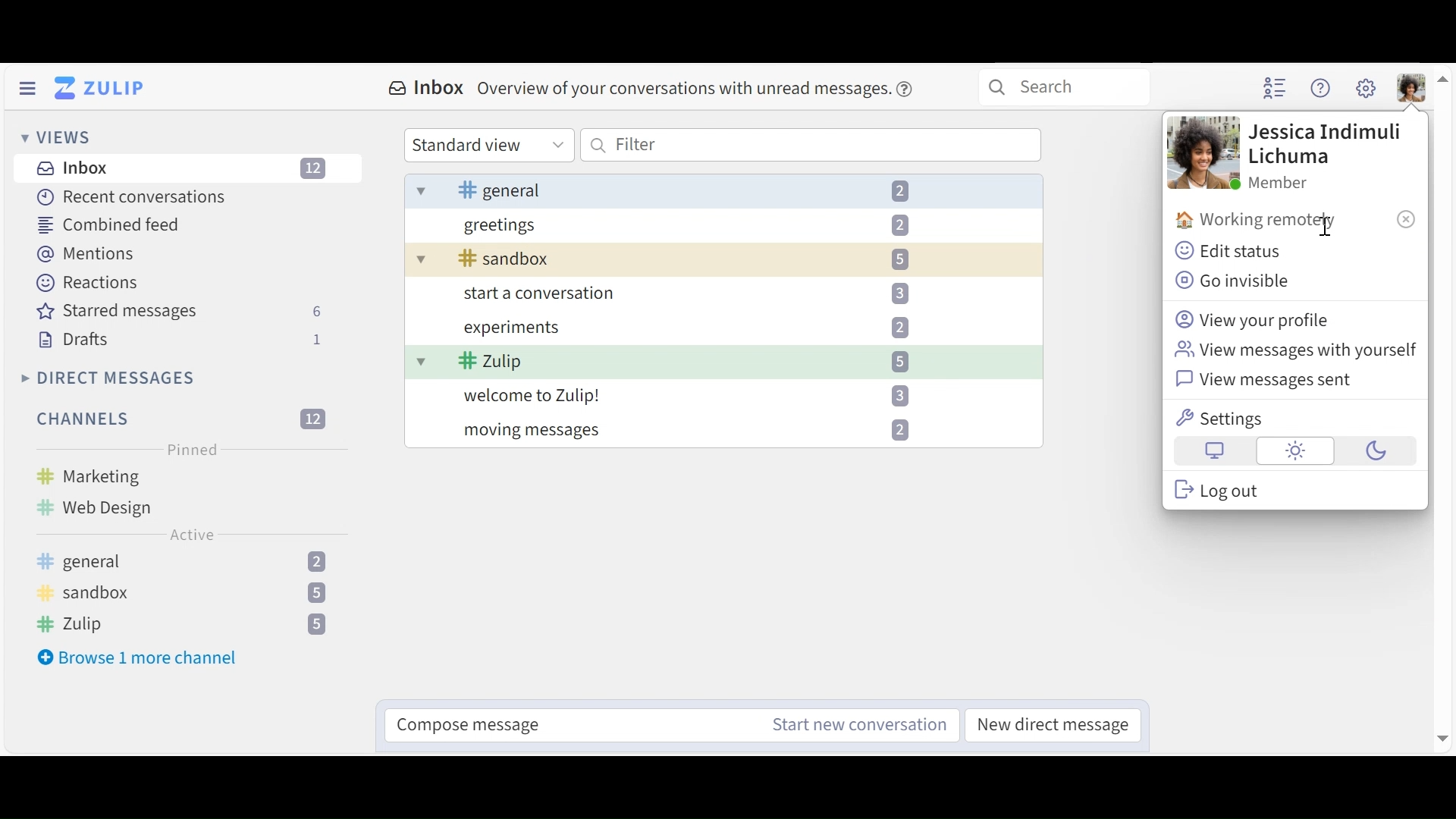 The height and width of the screenshot is (819, 1456). Describe the element at coordinates (523, 431) in the screenshot. I see `moving messages` at that location.